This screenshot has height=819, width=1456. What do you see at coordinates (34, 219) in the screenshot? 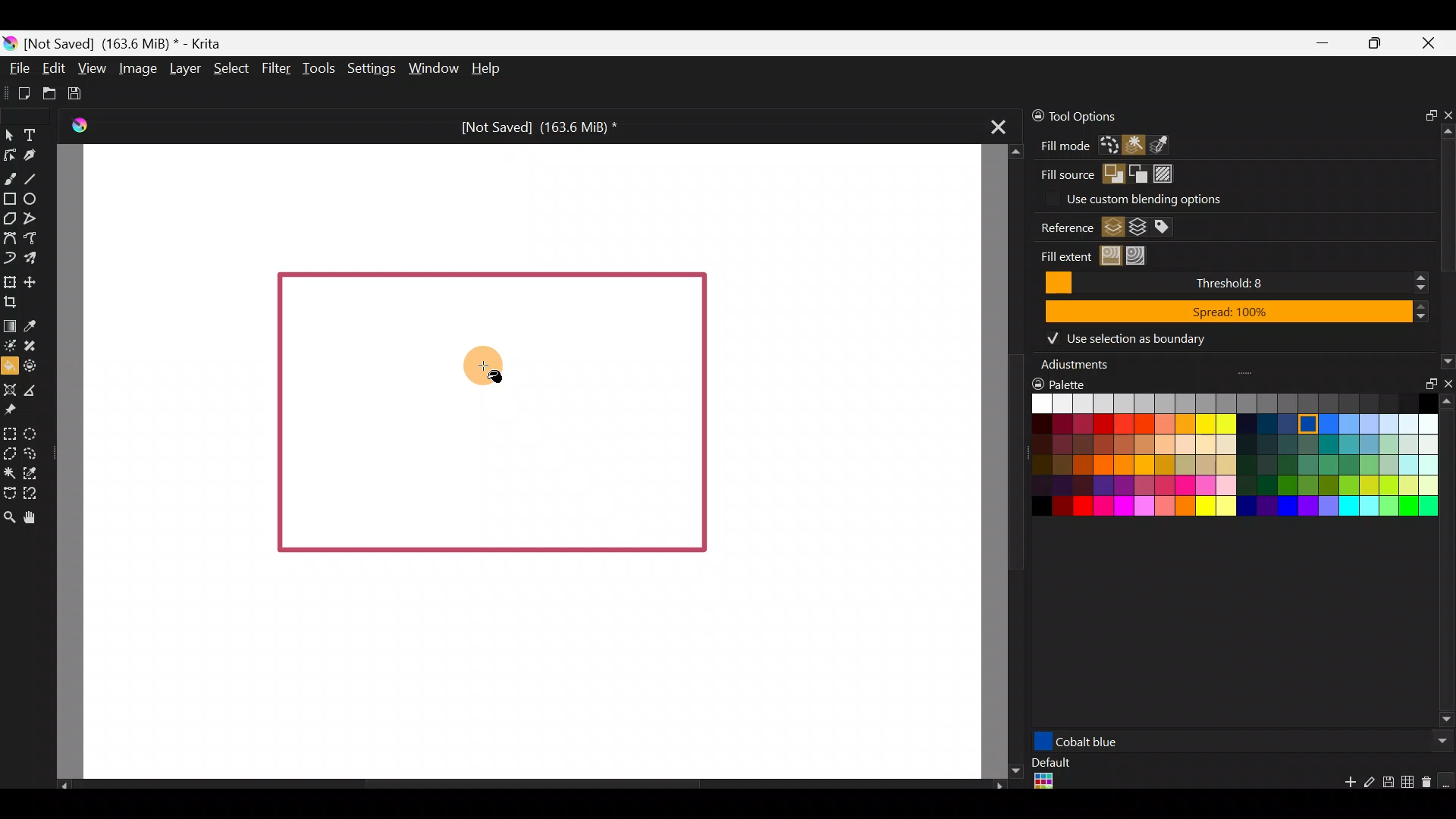
I see `Polyline tool` at bounding box center [34, 219].